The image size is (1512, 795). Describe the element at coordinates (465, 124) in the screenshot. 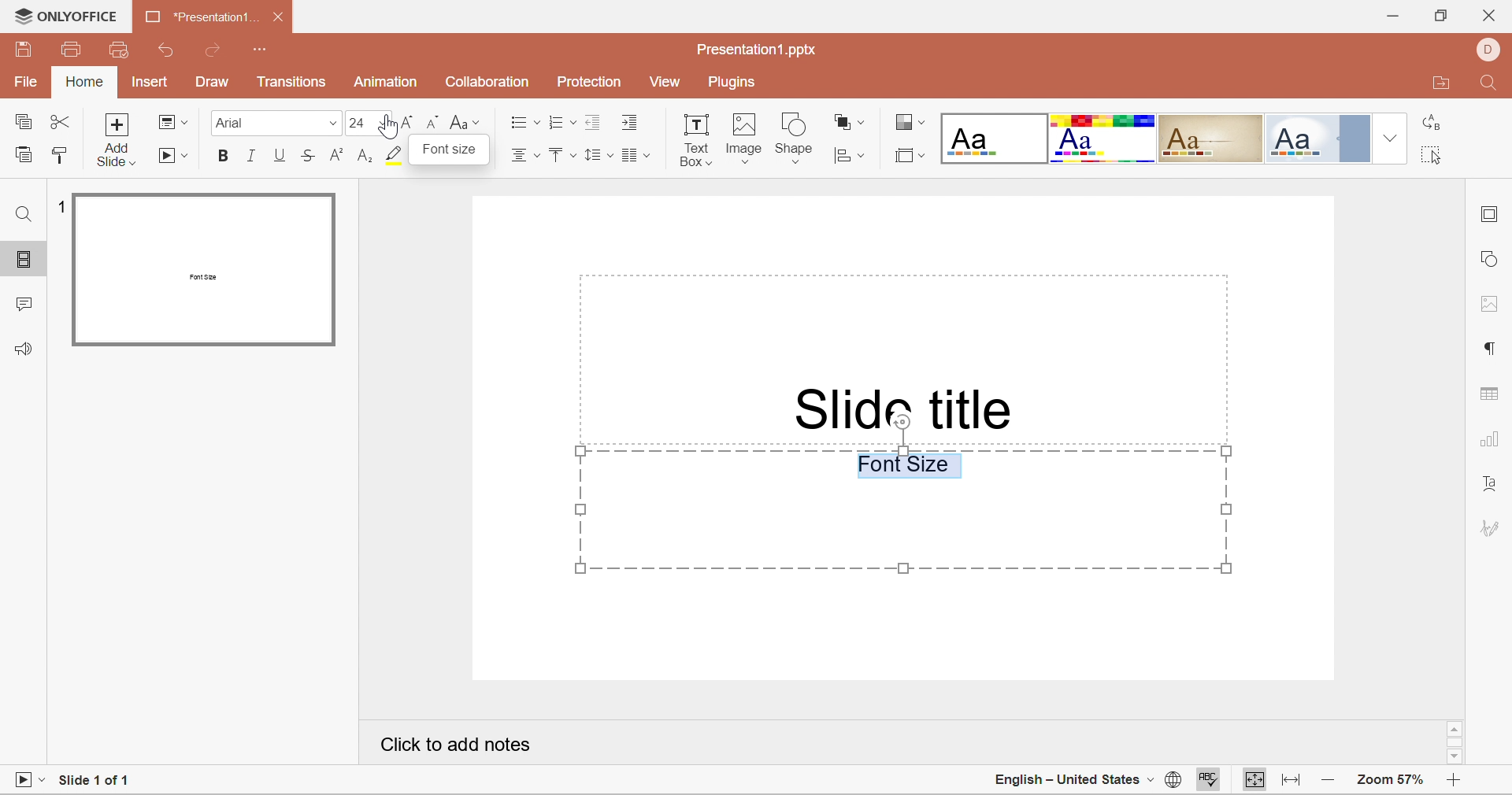

I see `Change case` at that location.